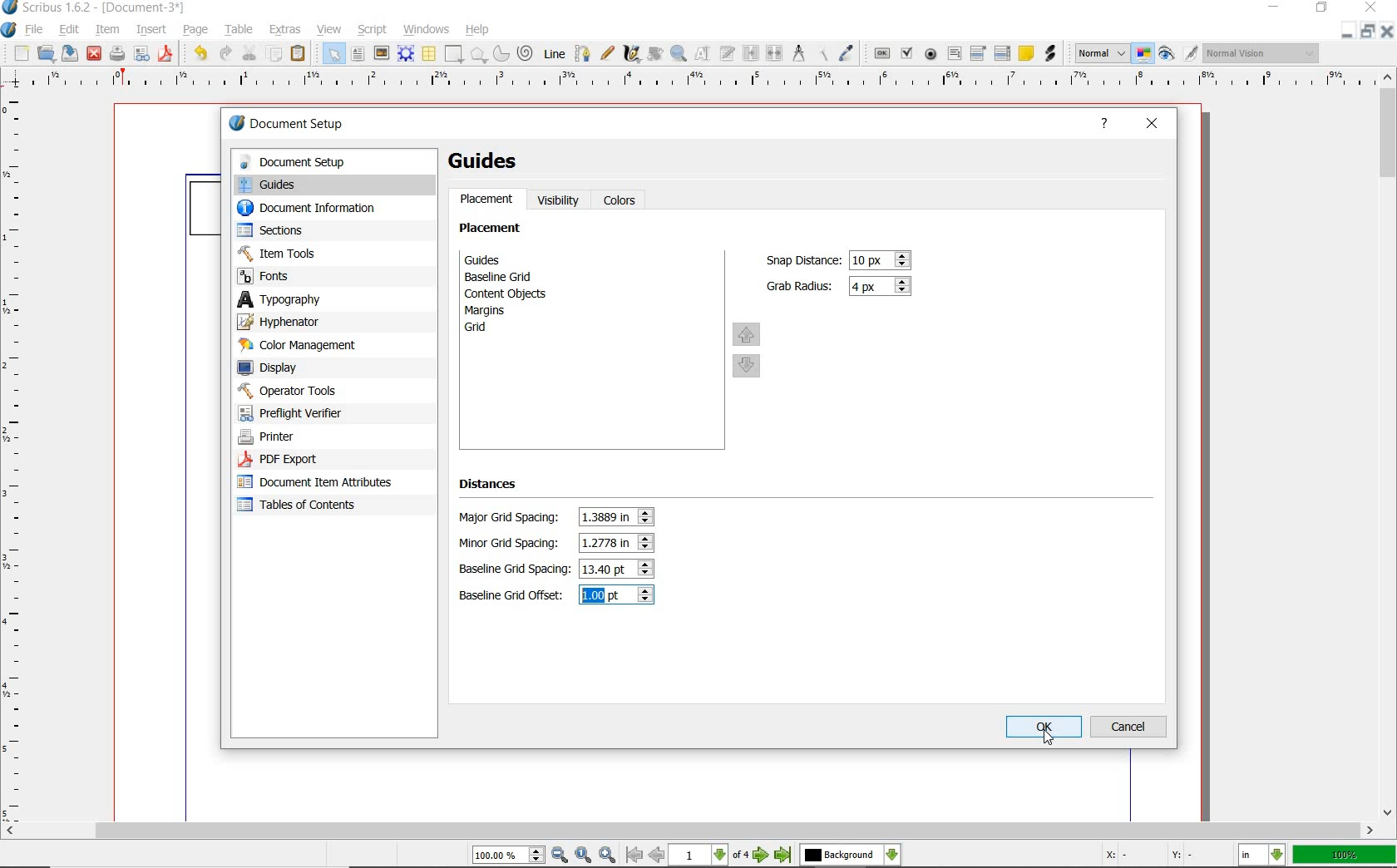 This screenshot has height=868, width=1397. Describe the element at coordinates (318, 437) in the screenshot. I see `printer` at that location.